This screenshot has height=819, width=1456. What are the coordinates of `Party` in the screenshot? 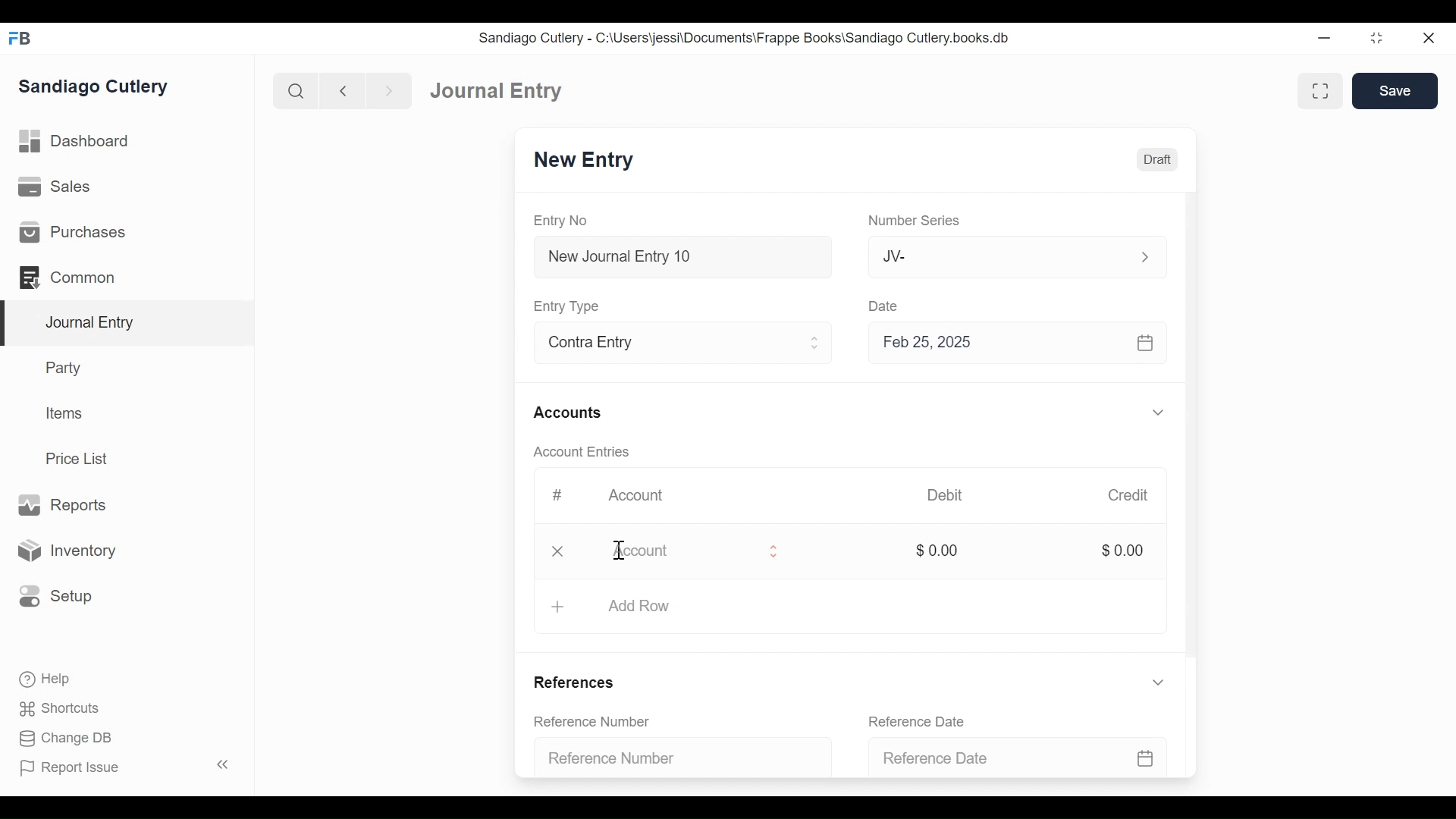 It's located at (61, 368).